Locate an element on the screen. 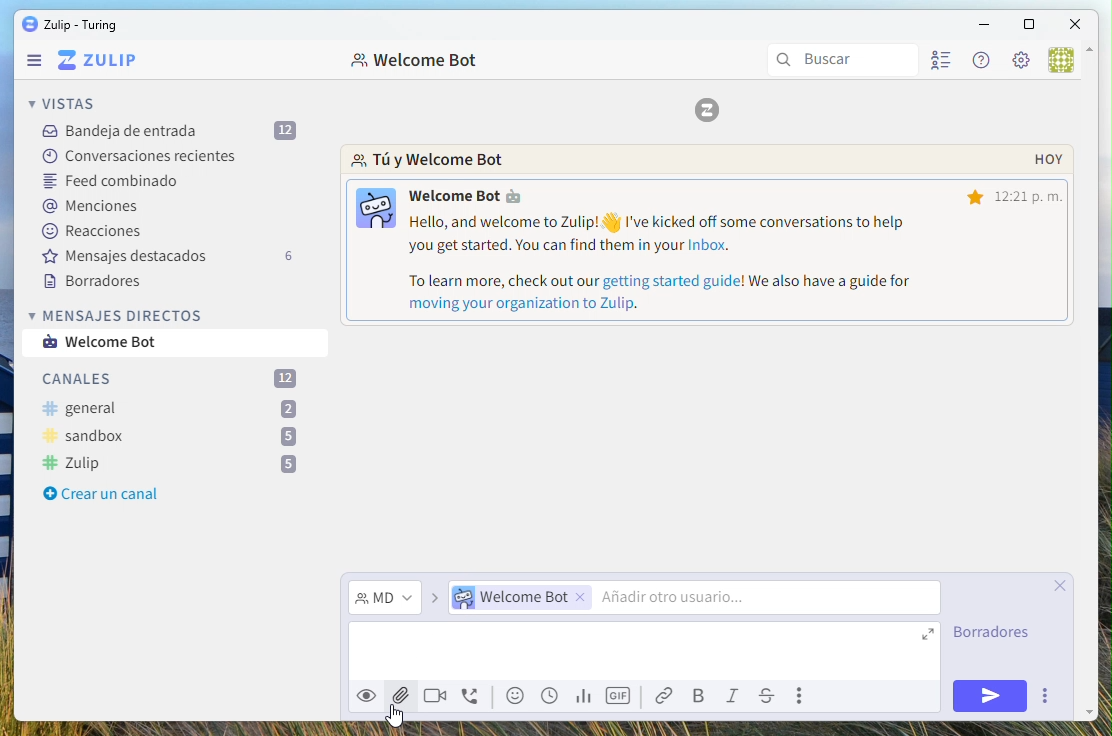 The height and width of the screenshot is (736, 1112). Inbox is located at coordinates (168, 131).